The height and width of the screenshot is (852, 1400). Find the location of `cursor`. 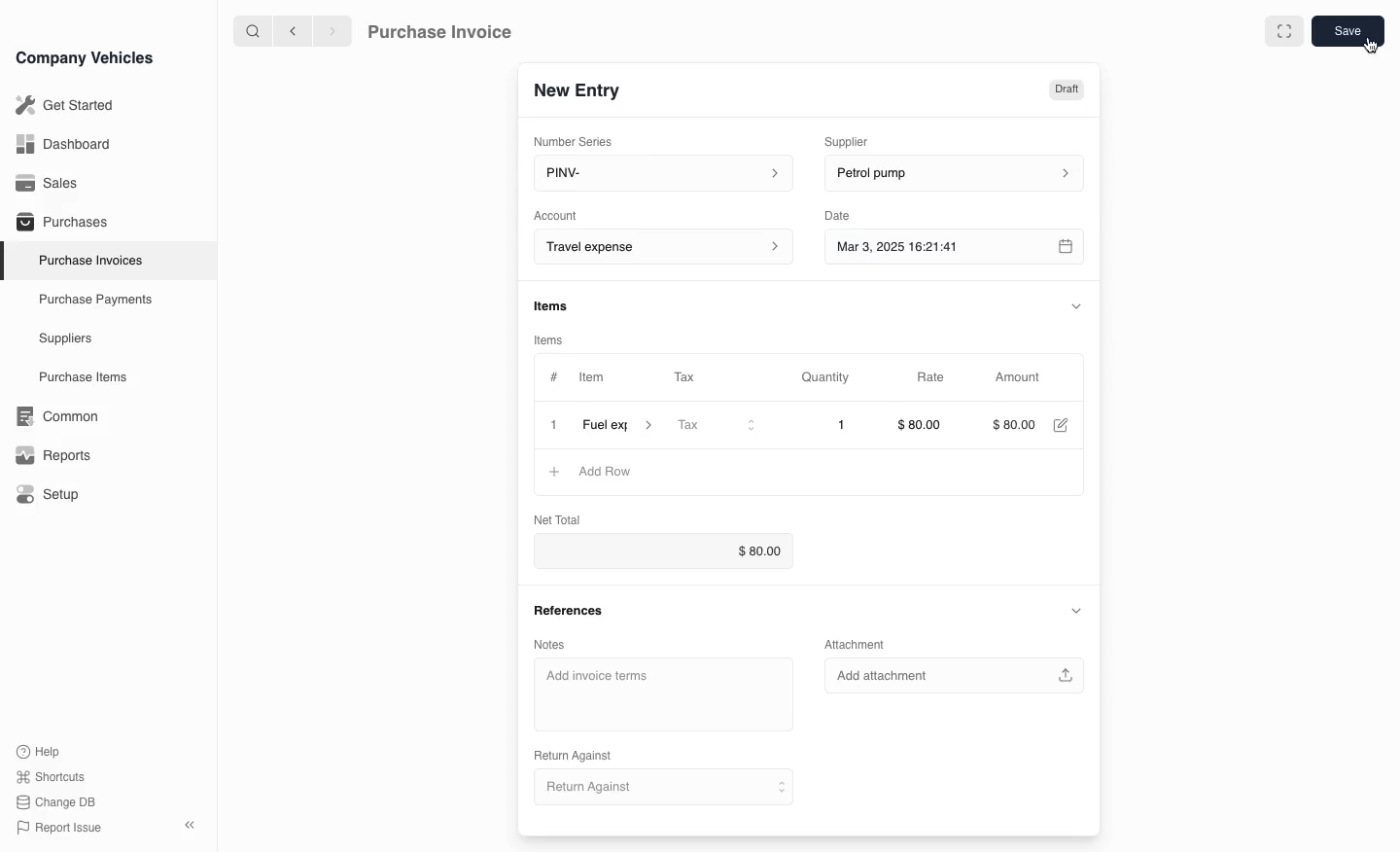

cursor is located at coordinates (1373, 47).